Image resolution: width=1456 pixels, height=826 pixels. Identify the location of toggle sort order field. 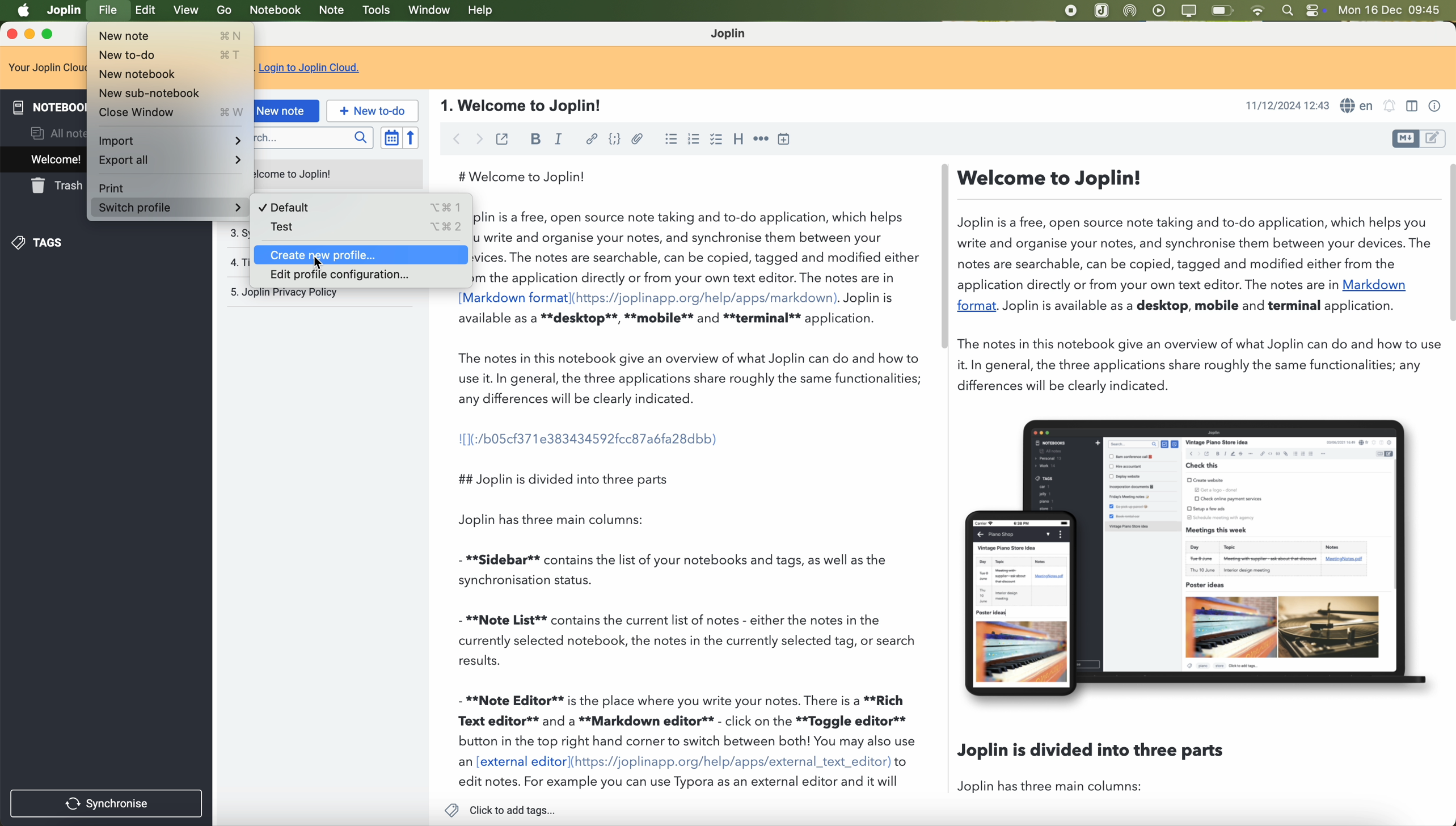
(389, 137).